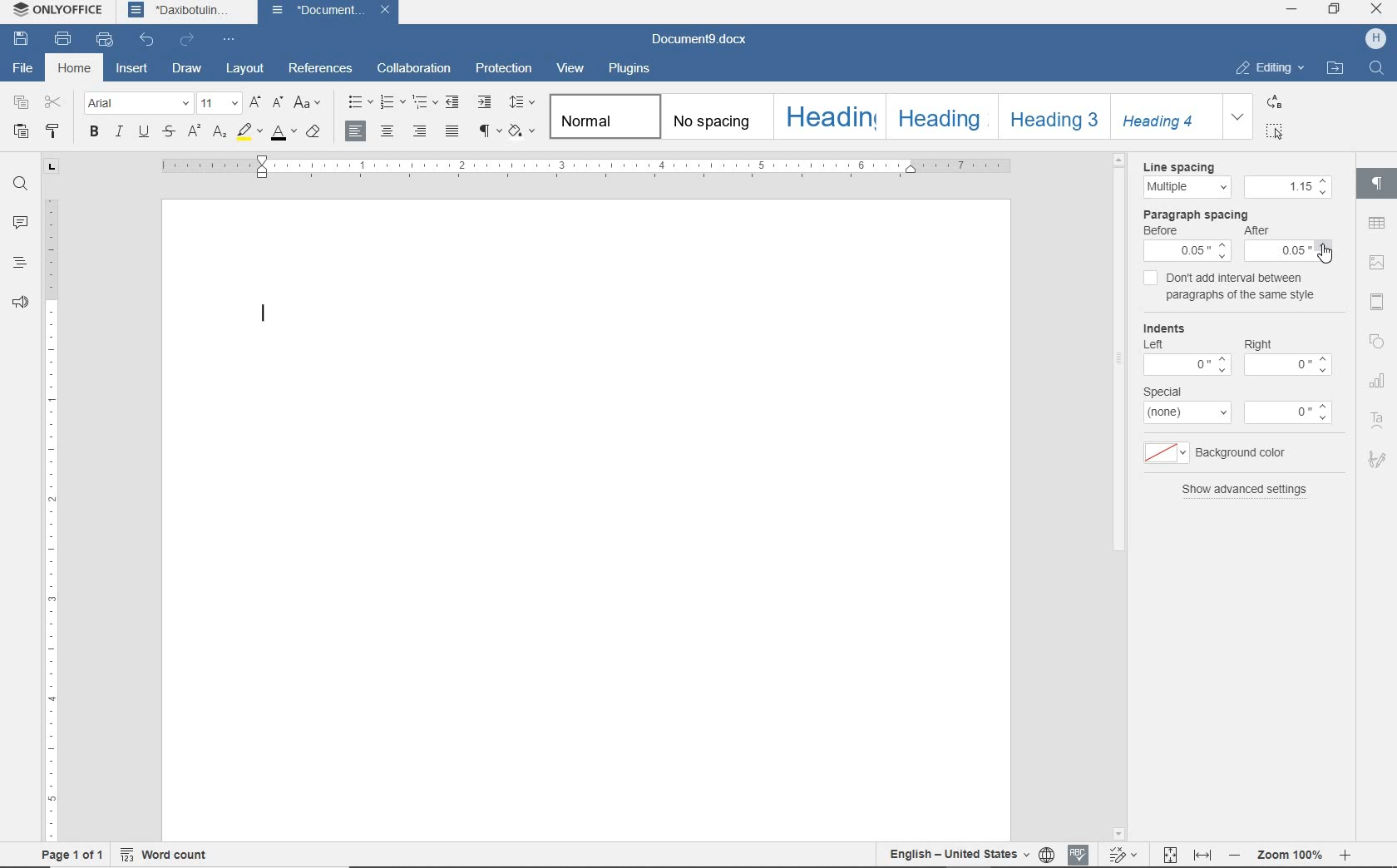 This screenshot has height=868, width=1397. I want to click on copy style, so click(56, 132).